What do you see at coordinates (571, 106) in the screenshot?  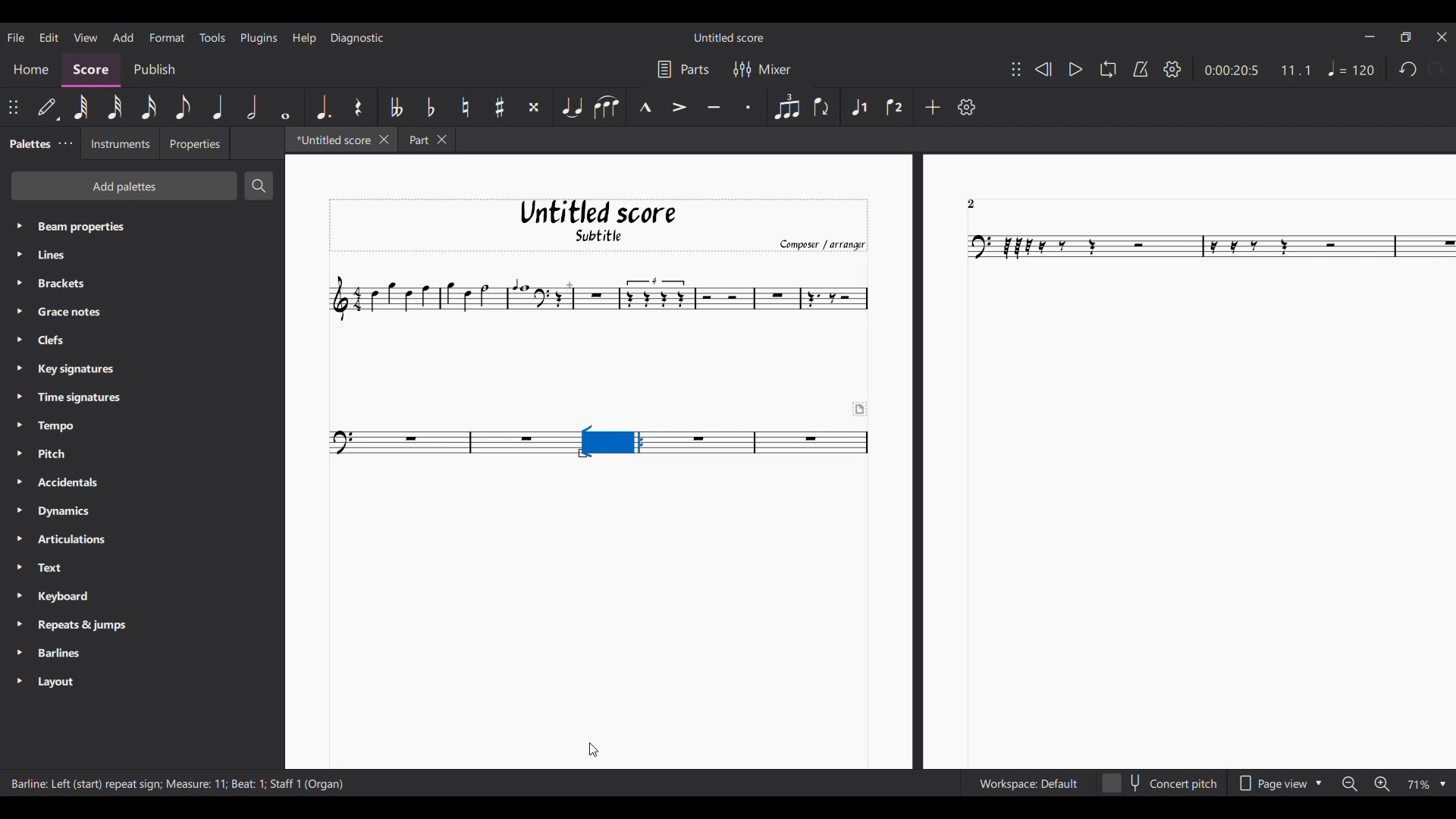 I see `Tie` at bounding box center [571, 106].